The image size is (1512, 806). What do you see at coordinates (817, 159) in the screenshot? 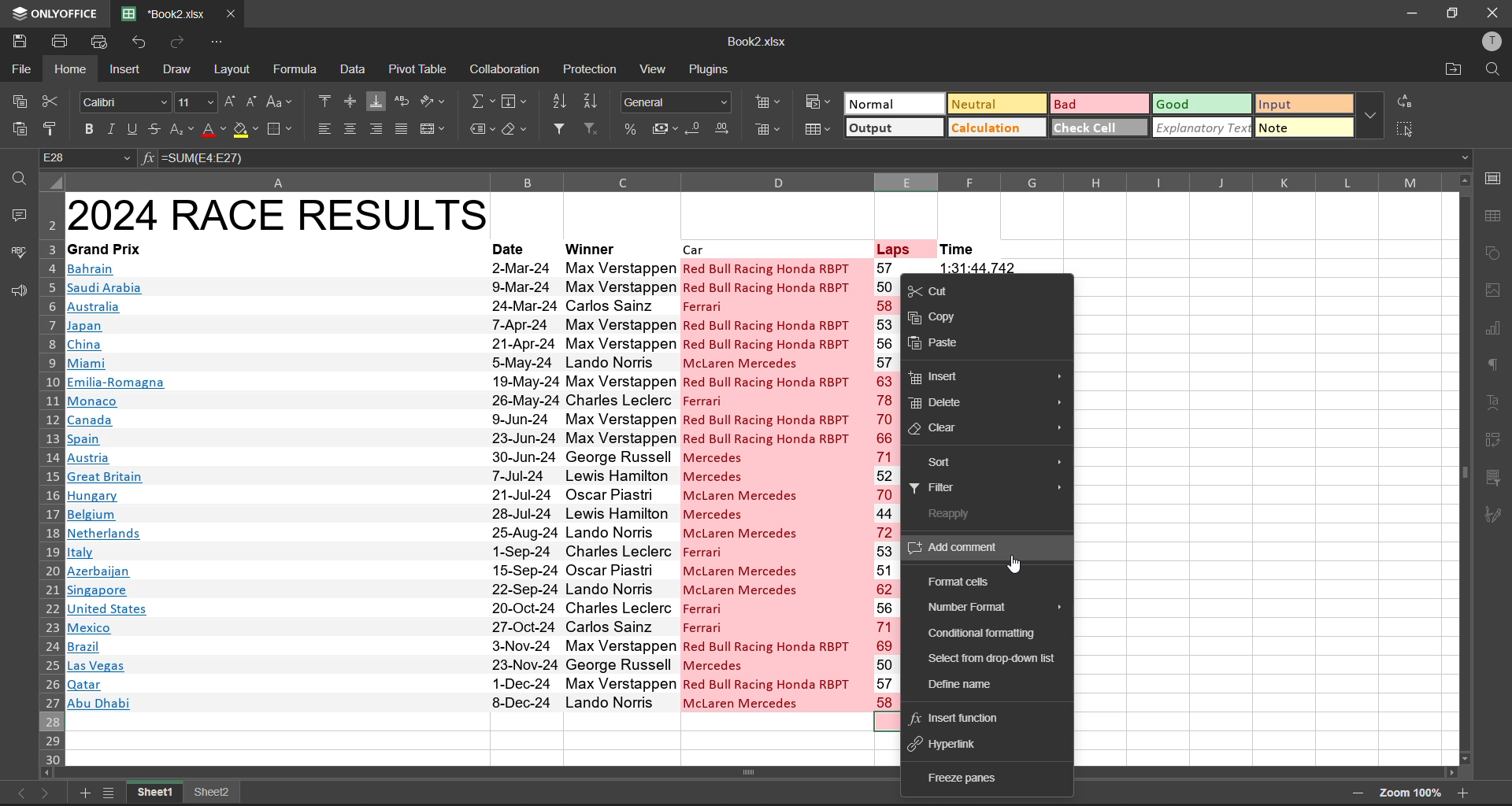
I see `formula bar` at bounding box center [817, 159].